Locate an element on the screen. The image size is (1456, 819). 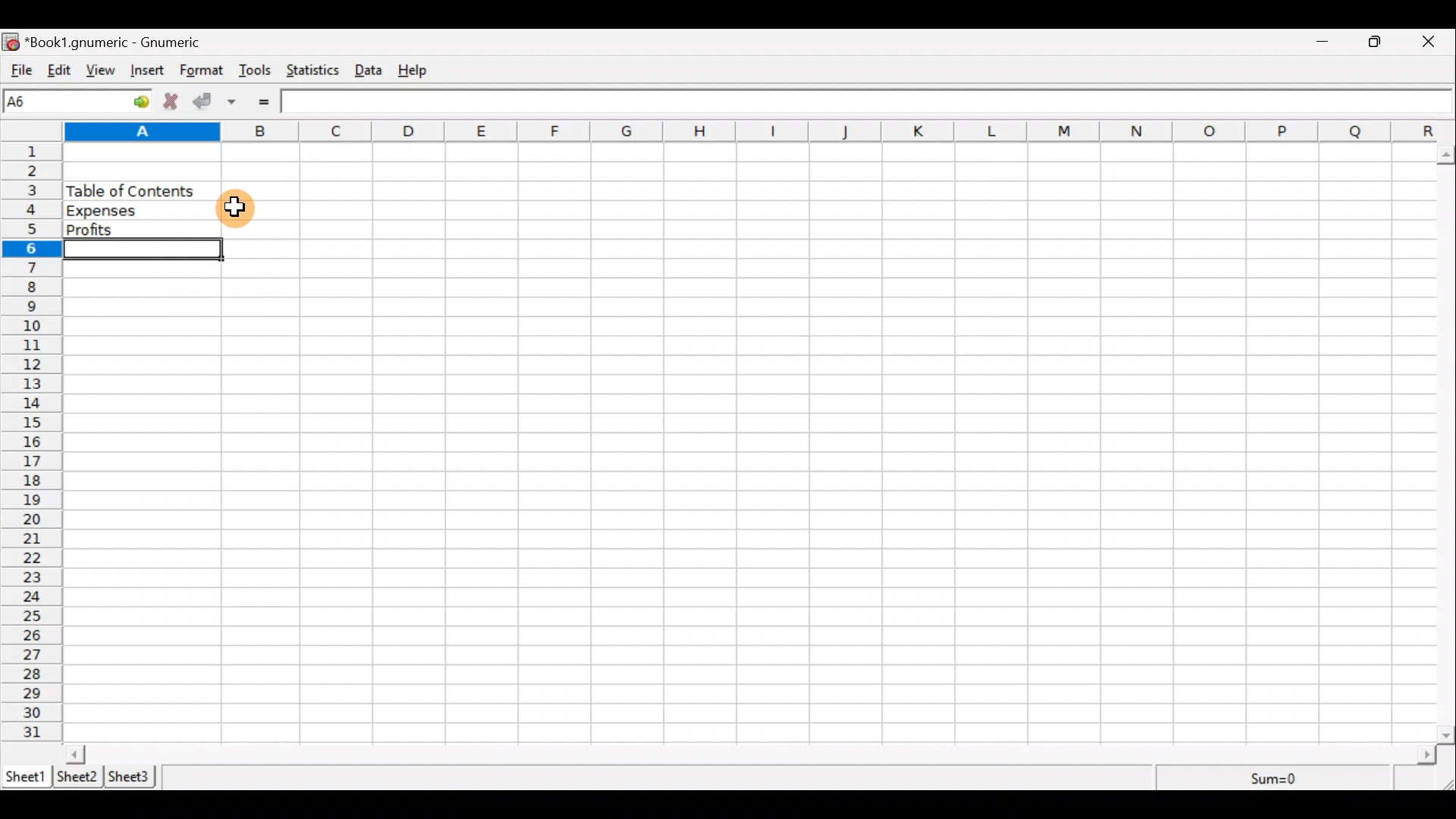
Minimize is located at coordinates (1323, 43).